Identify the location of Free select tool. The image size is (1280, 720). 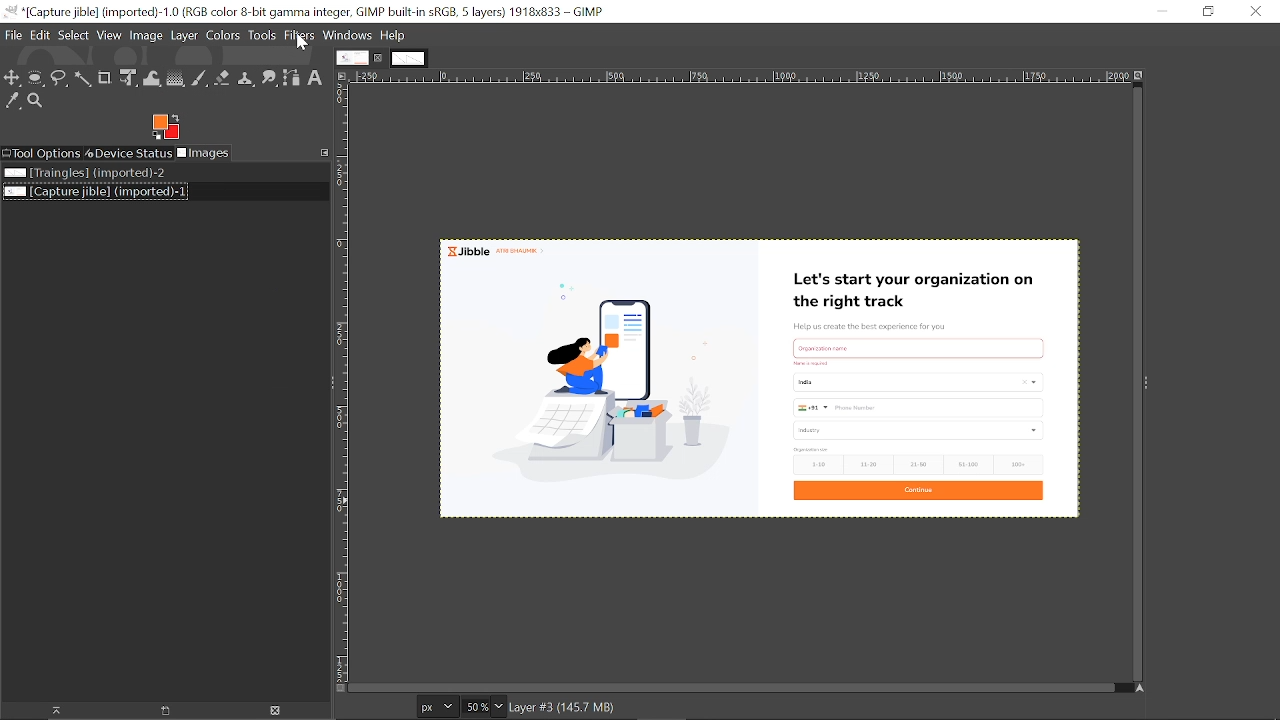
(60, 79).